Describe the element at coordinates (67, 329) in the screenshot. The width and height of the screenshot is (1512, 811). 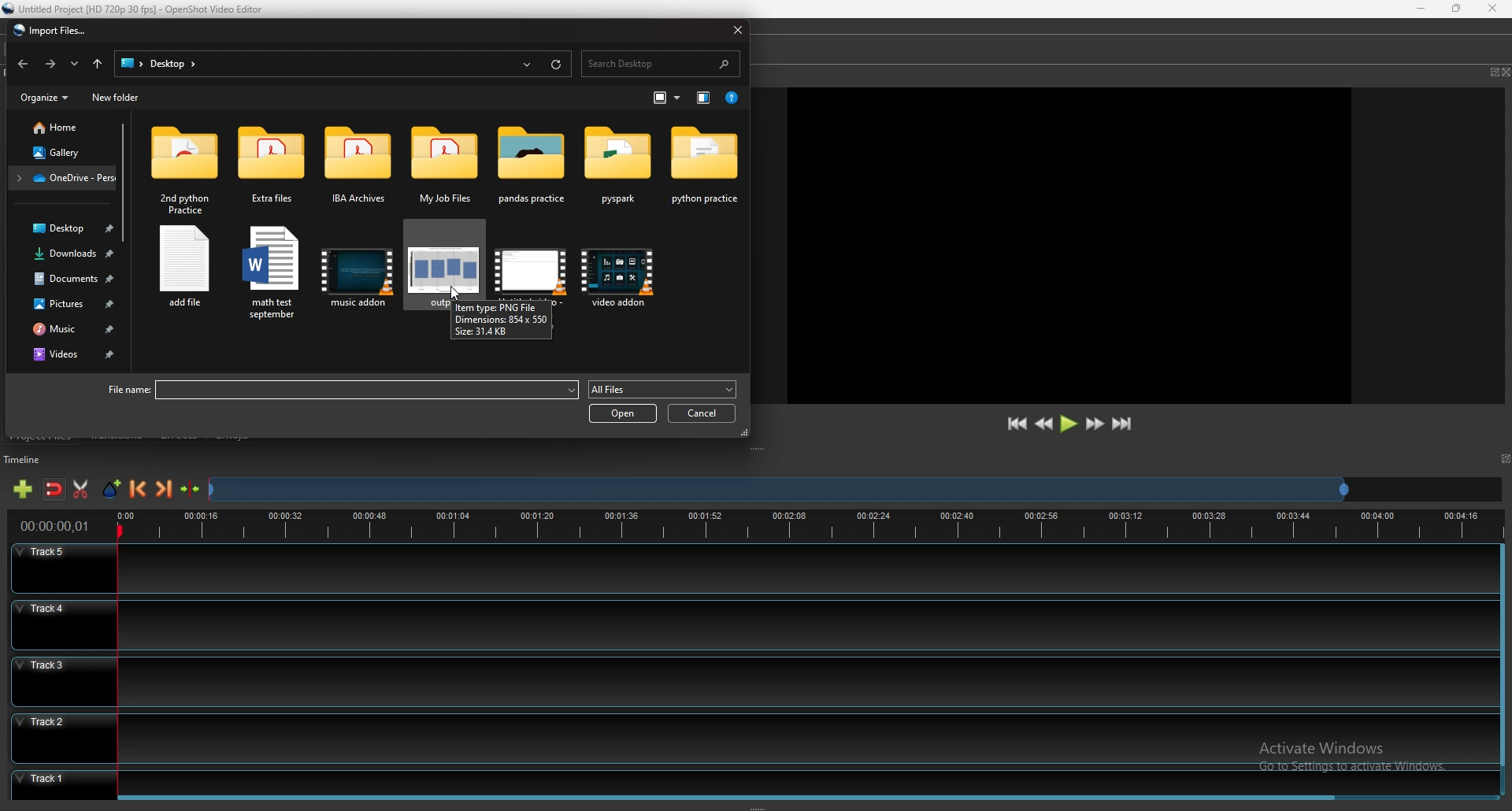
I see `music` at that location.